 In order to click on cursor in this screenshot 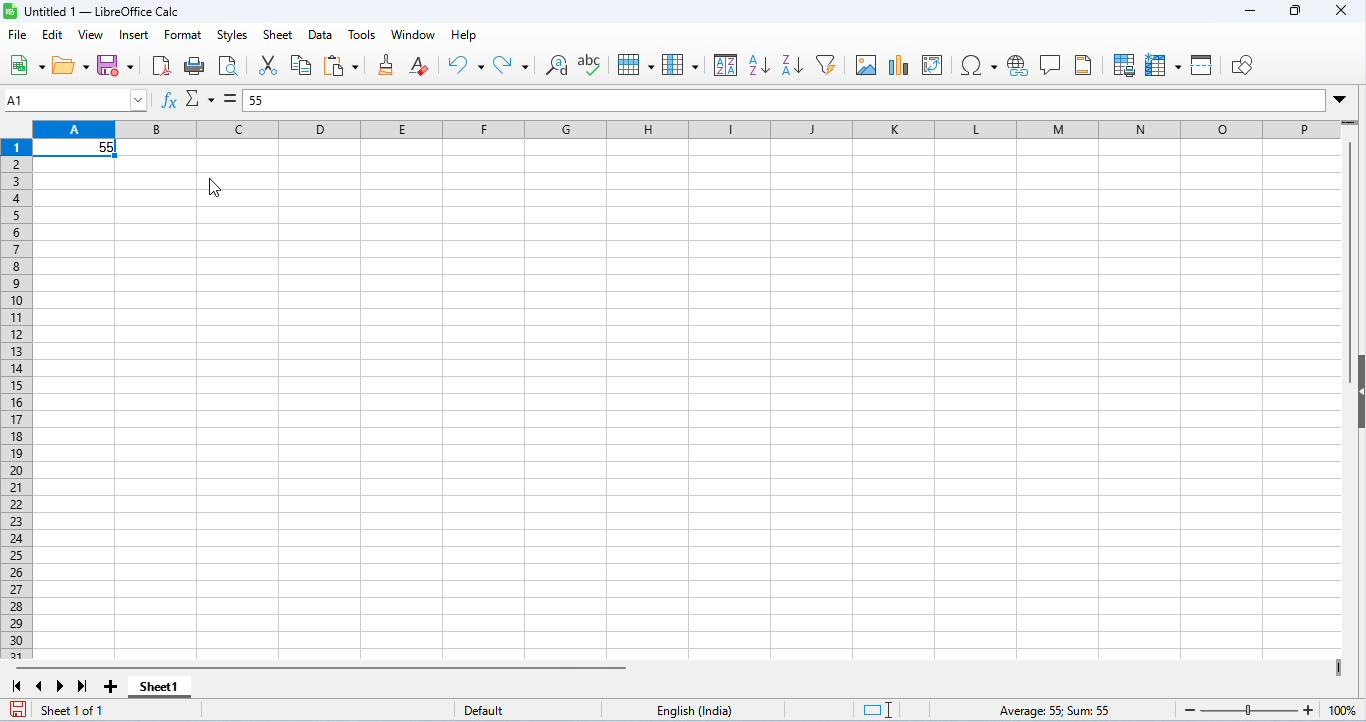, I will do `click(216, 189)`.